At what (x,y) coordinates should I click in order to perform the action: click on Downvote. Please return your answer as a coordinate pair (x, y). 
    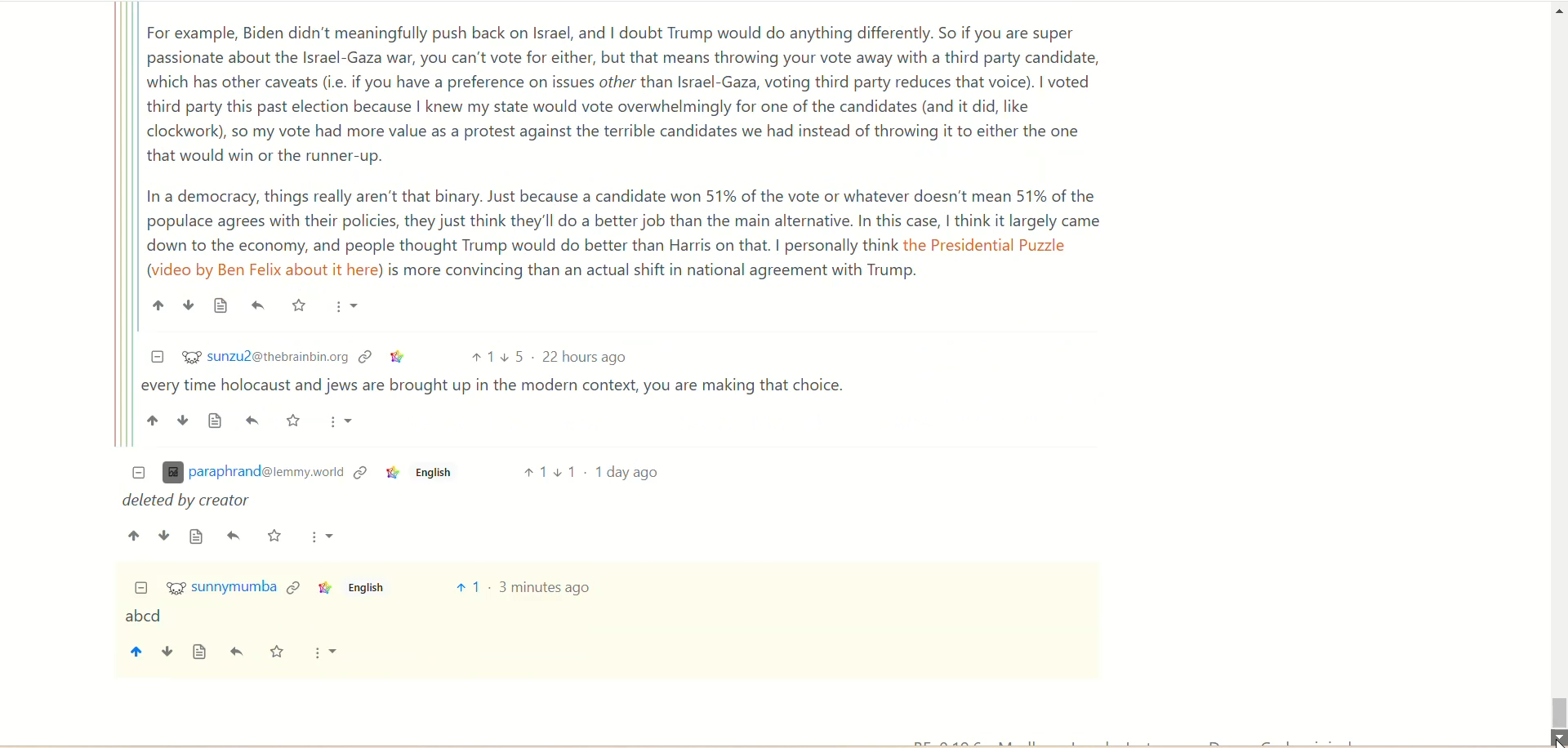
    Looking at the image, I should click on (183, 419).